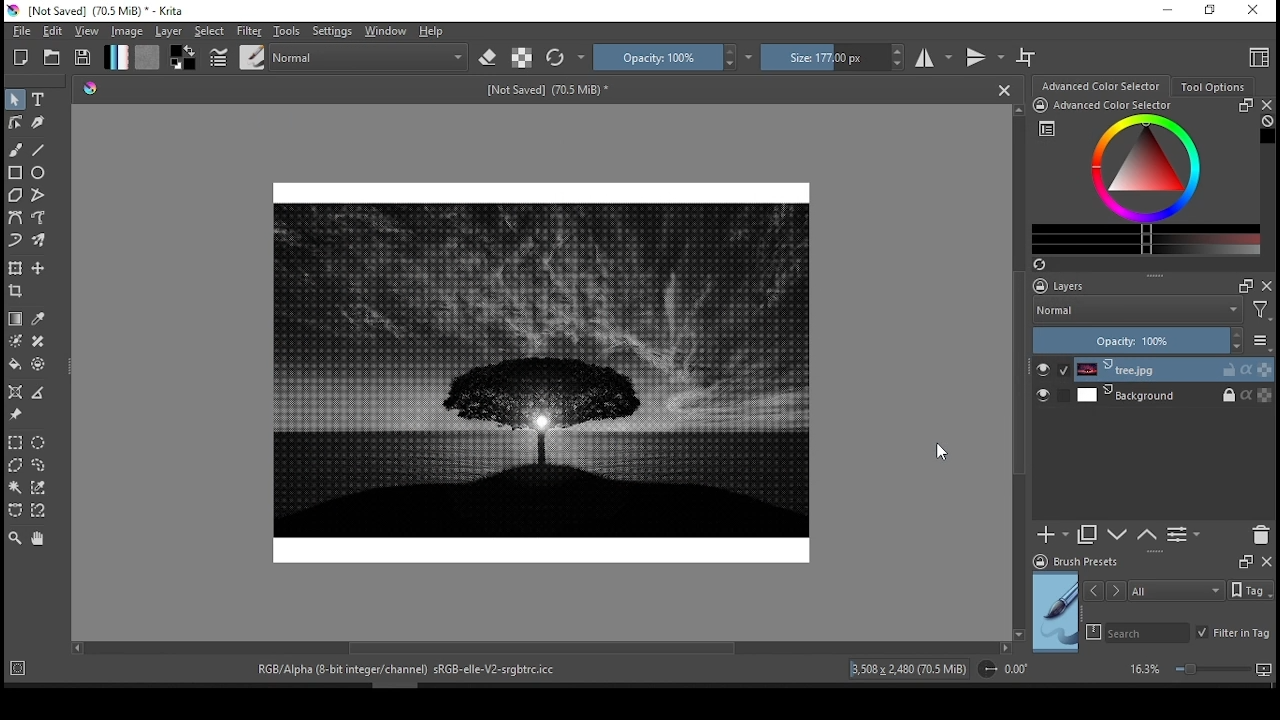 The height and width of the screenshot is (720, 1280). I want to click on filter, so click(250, 30).